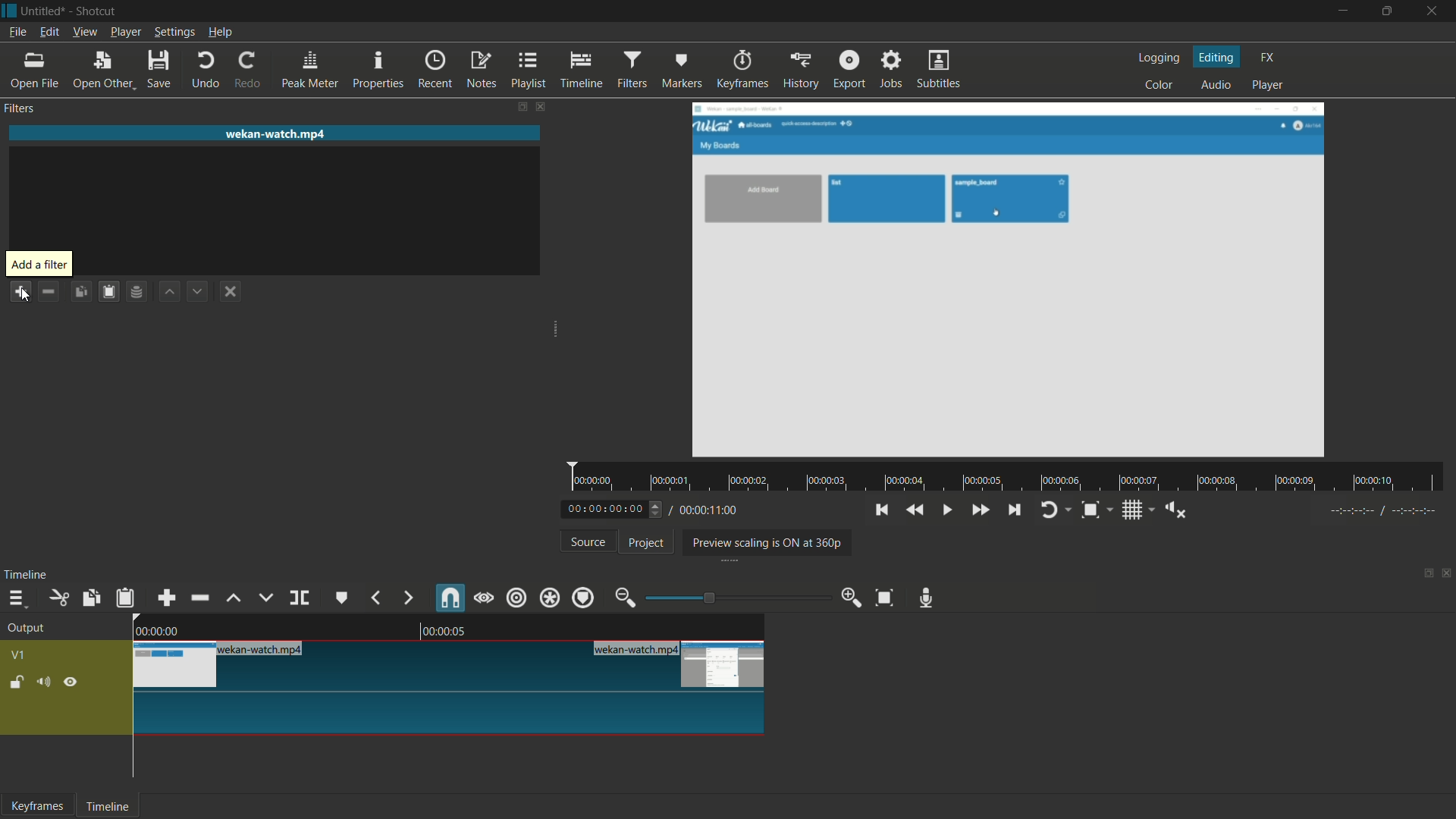 The image size is (1456, 819). What do you see at coordinates (20, 598) in the screenshot?
I see `timeline menu` at bounding box center [20, 598].